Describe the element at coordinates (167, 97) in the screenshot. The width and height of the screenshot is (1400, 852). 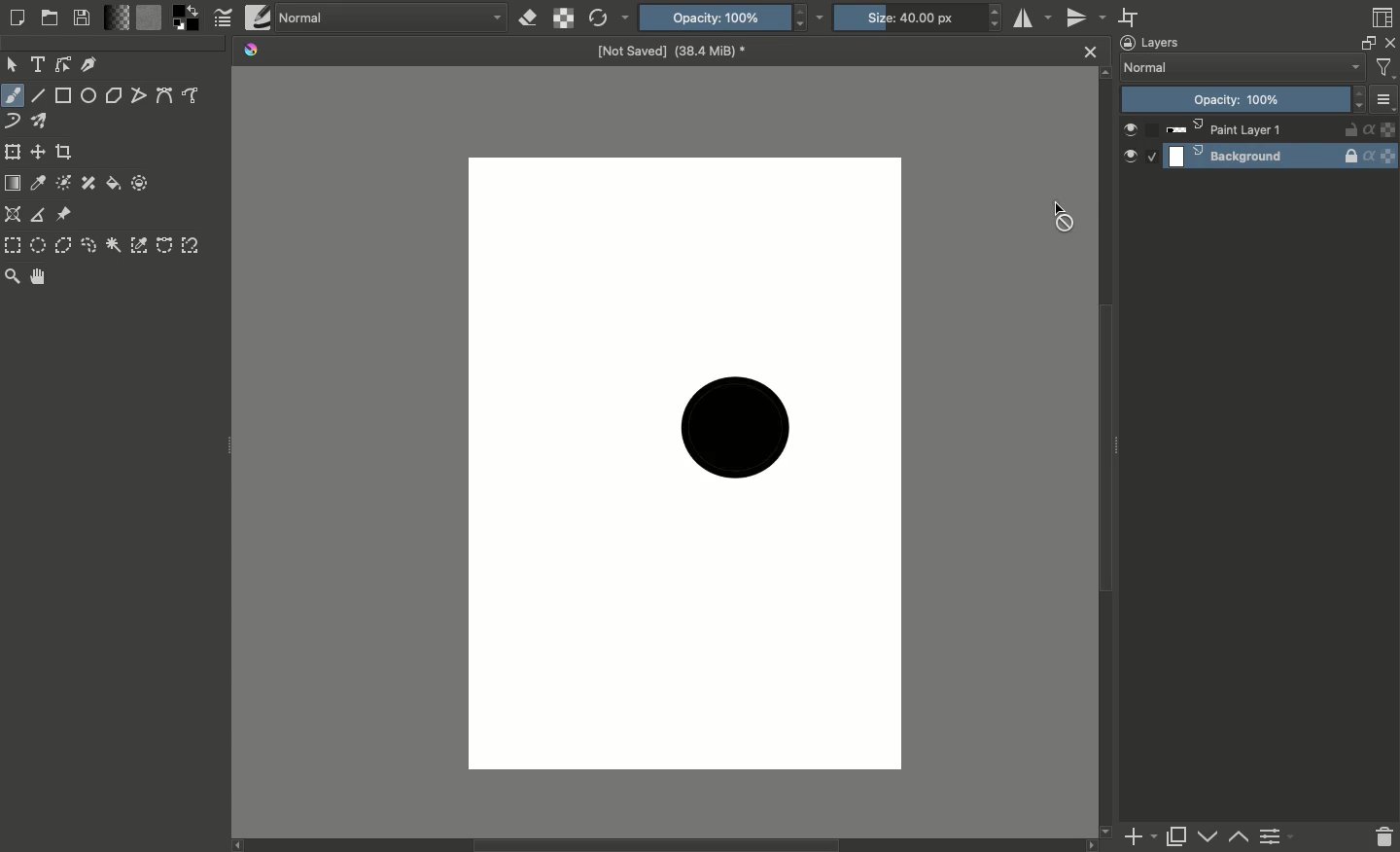
I see `Bézier curve` at that location.